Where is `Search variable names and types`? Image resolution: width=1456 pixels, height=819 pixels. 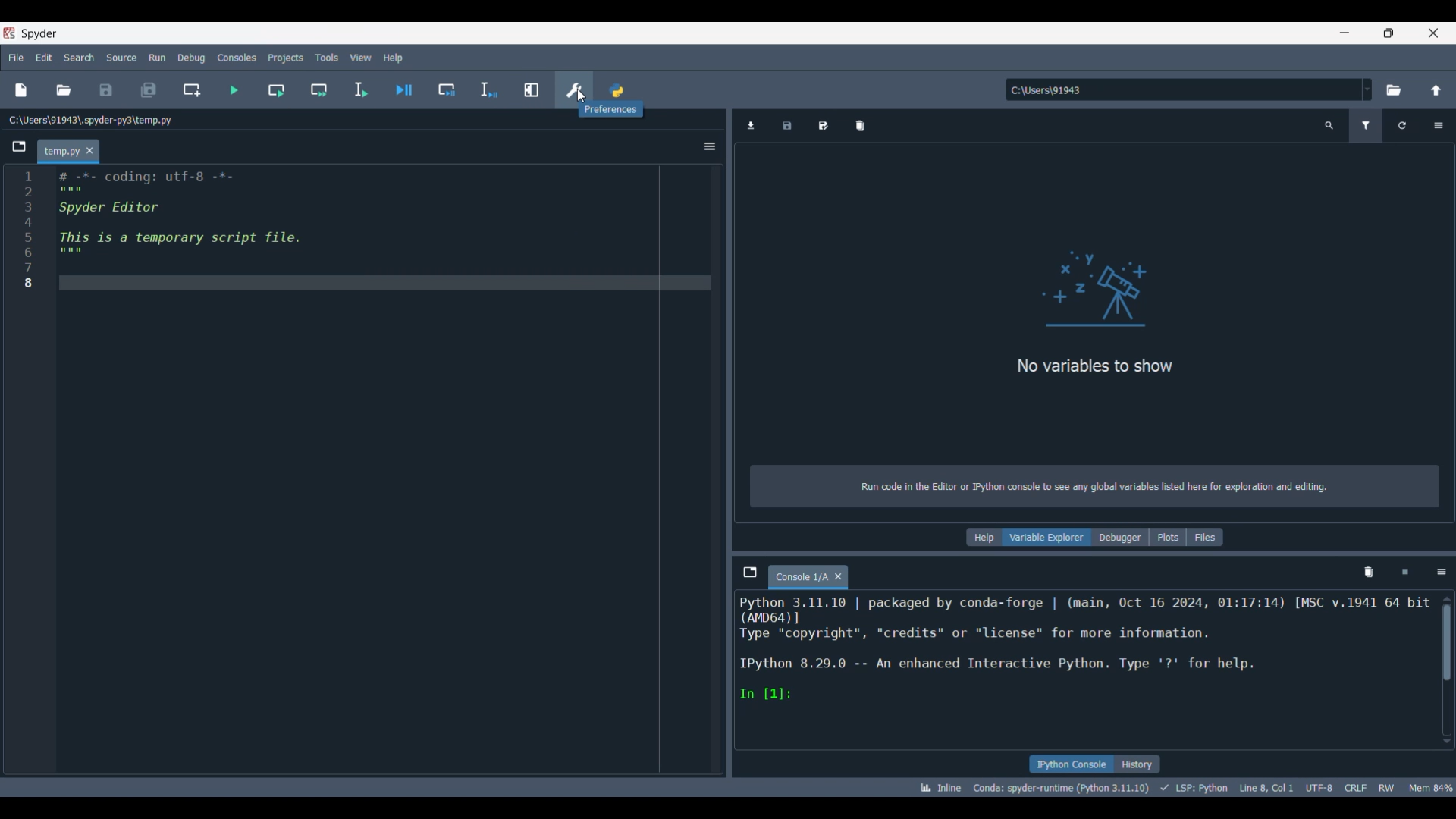
Search variable names and types is located at coordinates (1329, 126).